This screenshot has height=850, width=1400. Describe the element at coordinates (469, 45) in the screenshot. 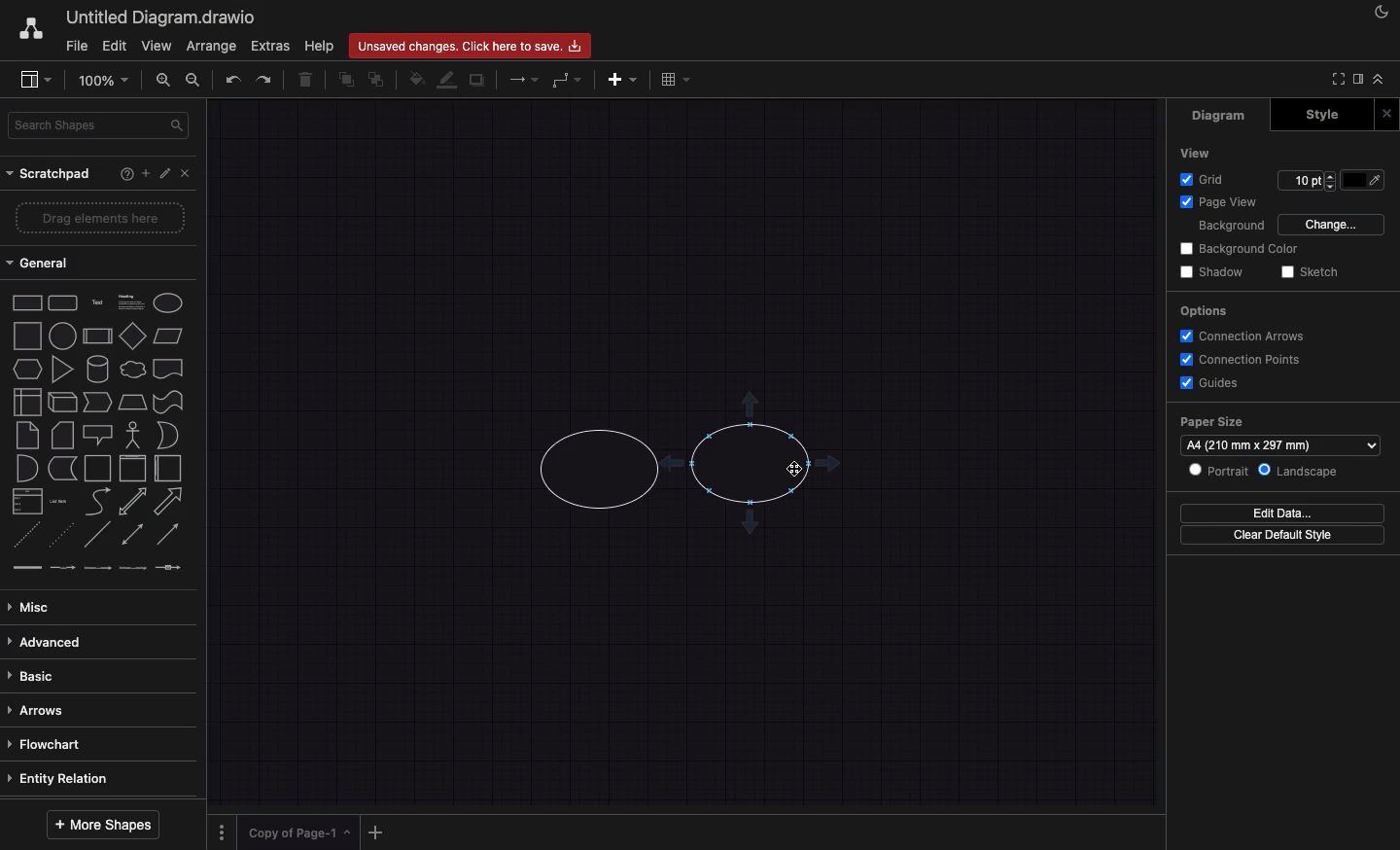

I see `Unsaved changes. Click her to save.` at that location.